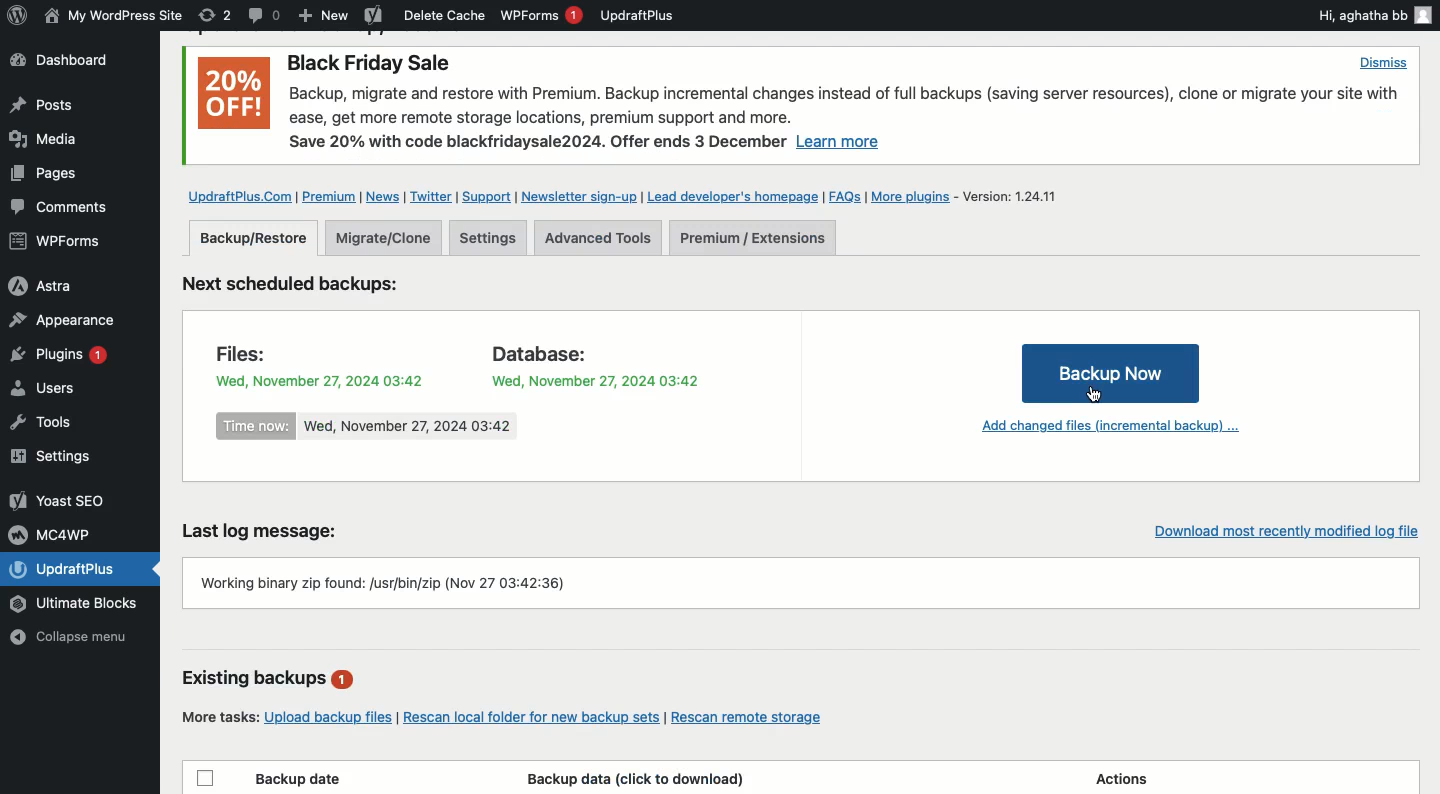  Describe the element at coordinates (217, 716) in the screenshot. I see `More tasks:` at that location.